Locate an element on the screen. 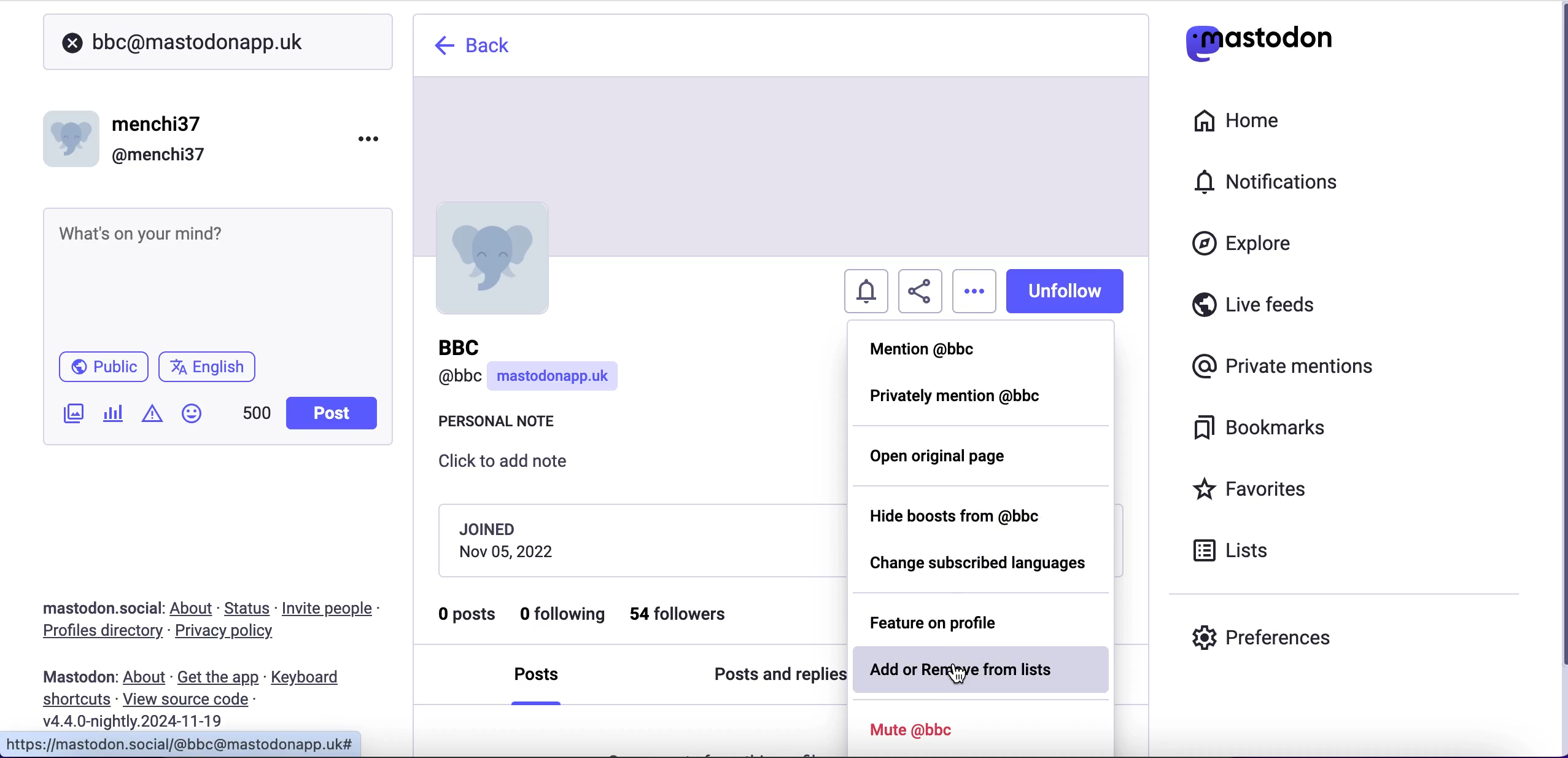 This screenshot has height=758, width=1568. mute @bbc is located at coordinates (921, 732).